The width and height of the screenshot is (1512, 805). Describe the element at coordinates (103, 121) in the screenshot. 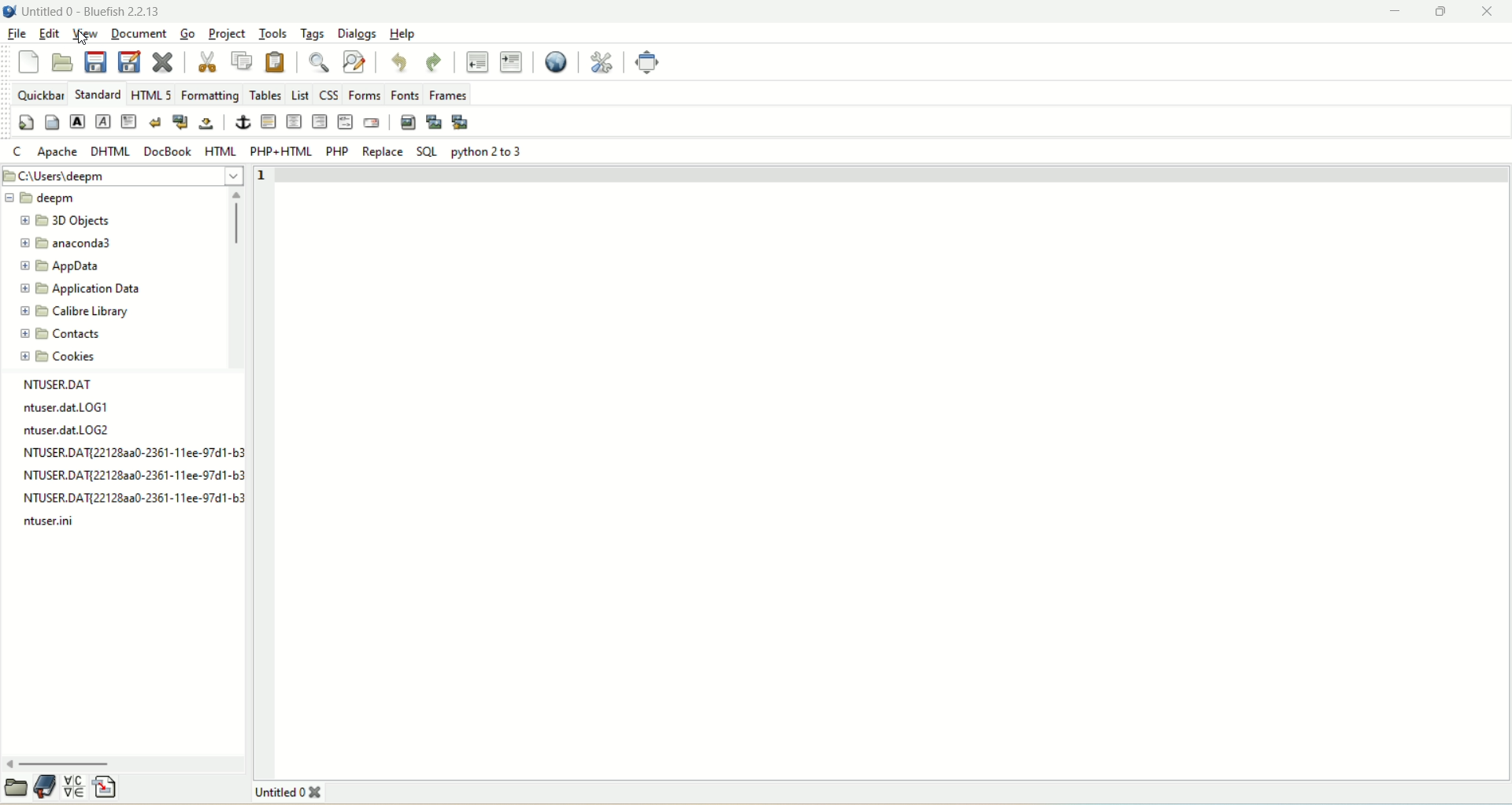

I see `emphasize` at that location.